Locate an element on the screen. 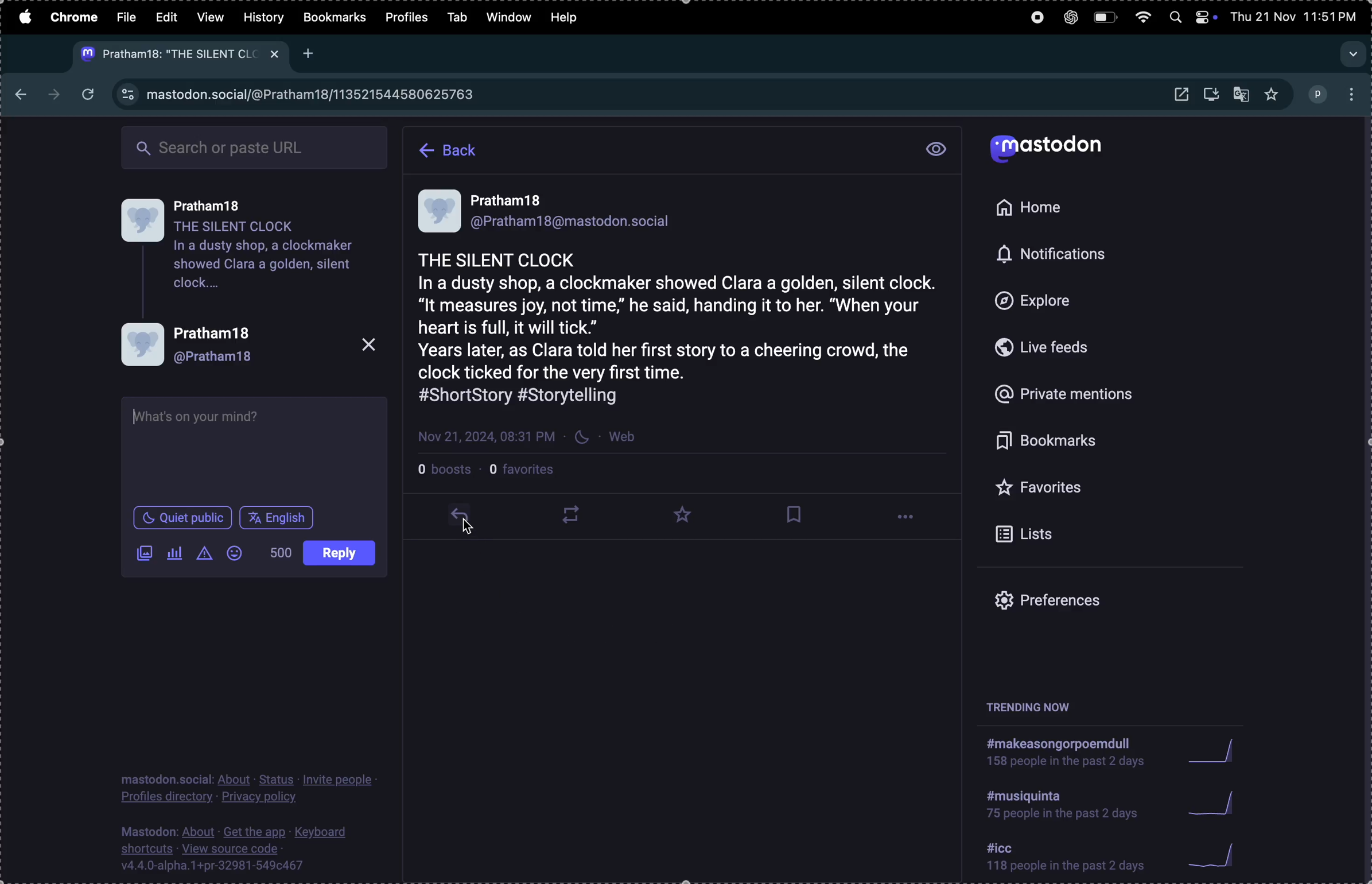 The height and width of the screenshot is (884, 1372). mastodon logo is located at coordinates (1051, 150).